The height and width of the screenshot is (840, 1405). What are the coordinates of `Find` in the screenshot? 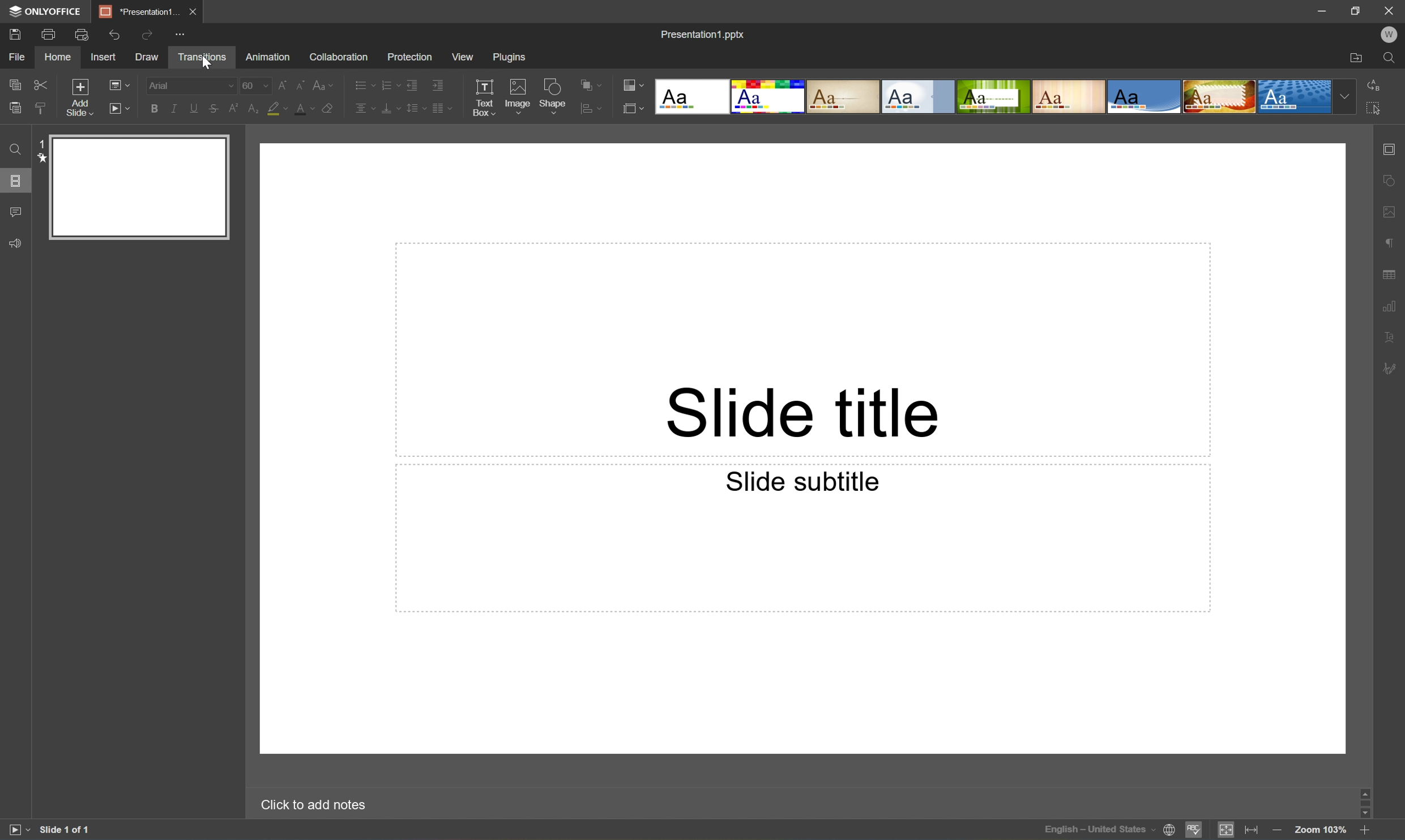 It's located at (14, 151).